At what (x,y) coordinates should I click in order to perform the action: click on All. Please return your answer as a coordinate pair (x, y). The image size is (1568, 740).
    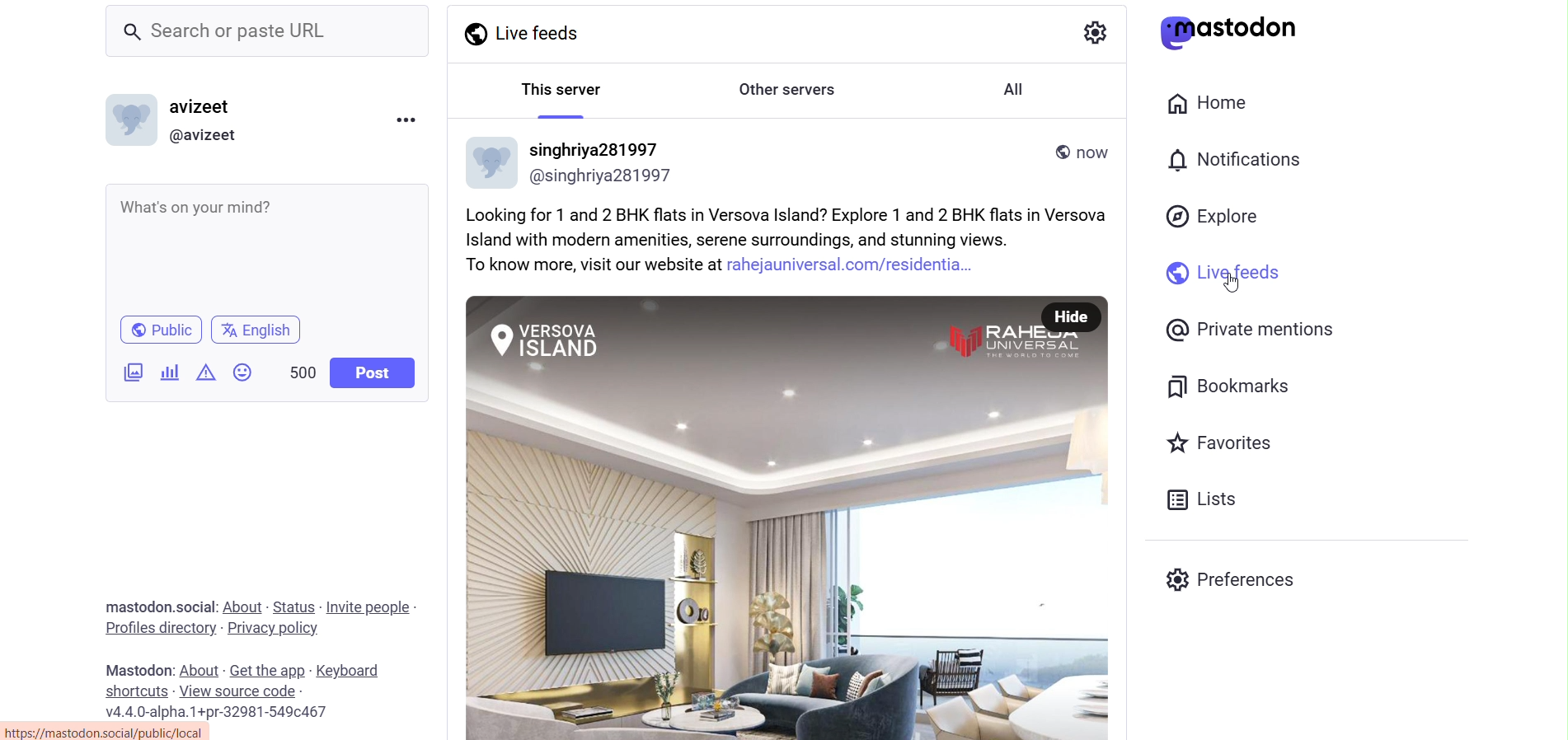
    Looking at the image, I should click on (1014, 89).